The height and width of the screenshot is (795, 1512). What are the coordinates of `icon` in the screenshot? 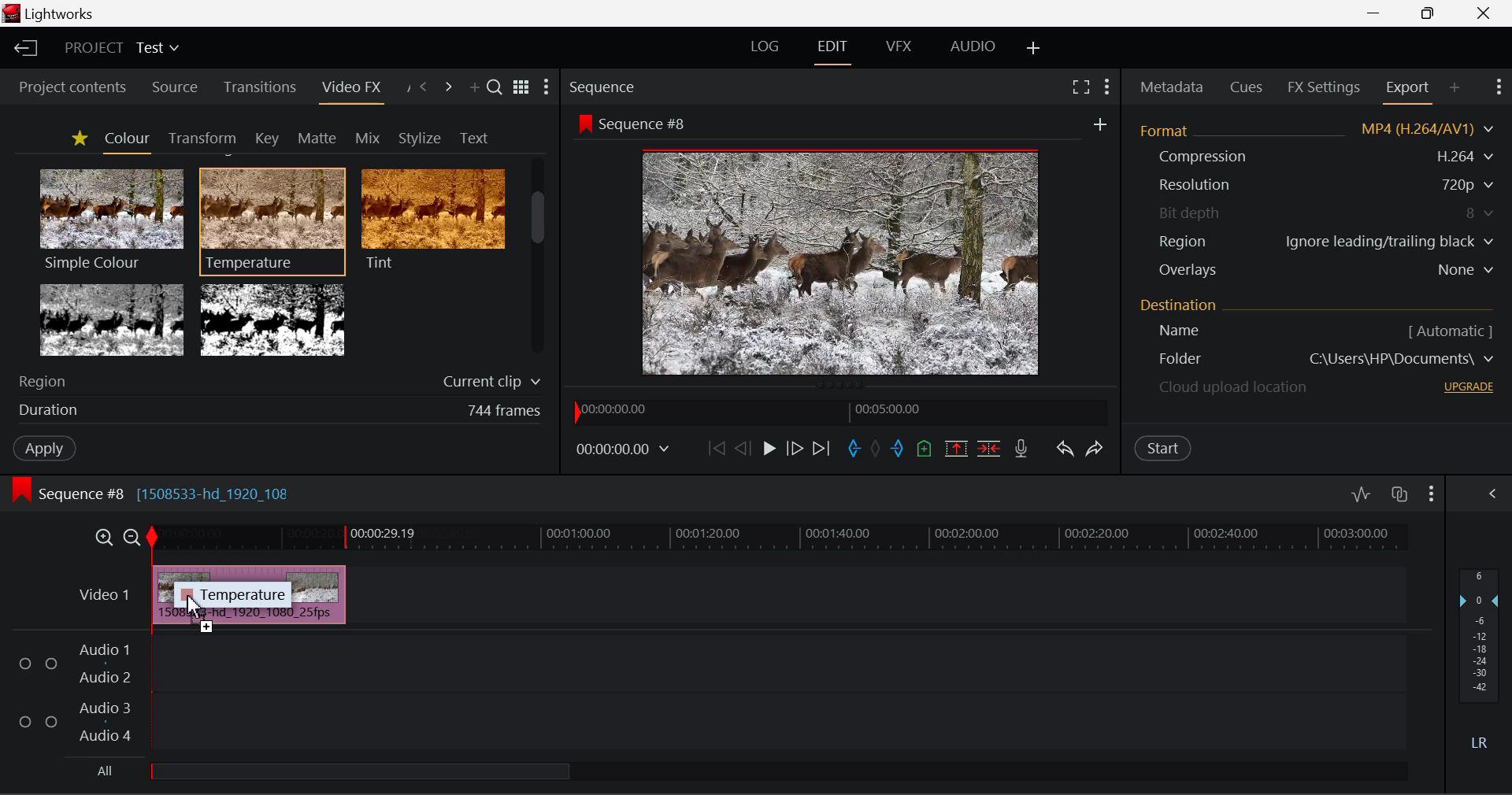 It's located at (584, 124).